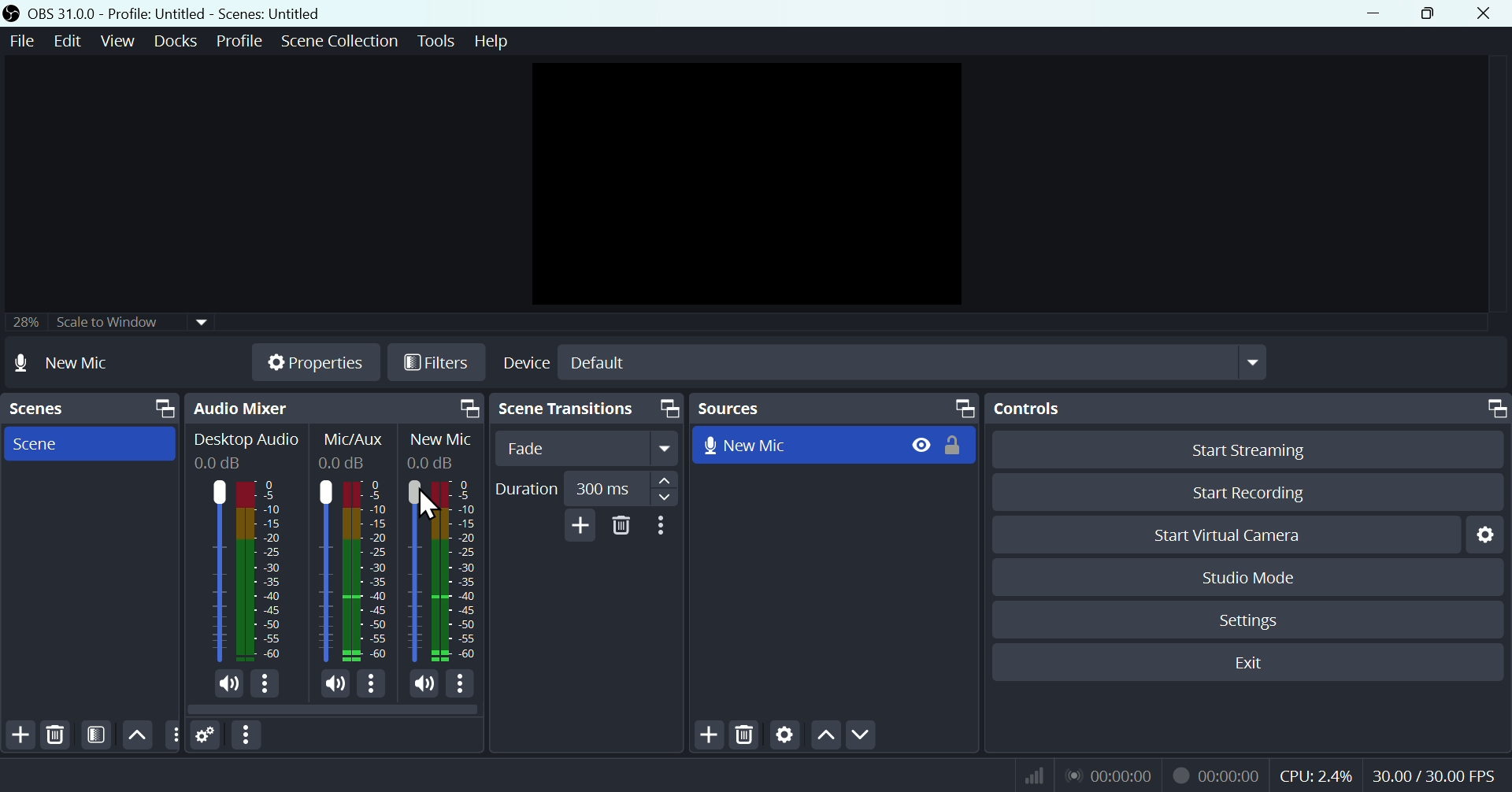 This screenshot has width=1512, height=792. Describe the element at coordinates (239, 41) in the screenshot. I see `Profile` at that location.